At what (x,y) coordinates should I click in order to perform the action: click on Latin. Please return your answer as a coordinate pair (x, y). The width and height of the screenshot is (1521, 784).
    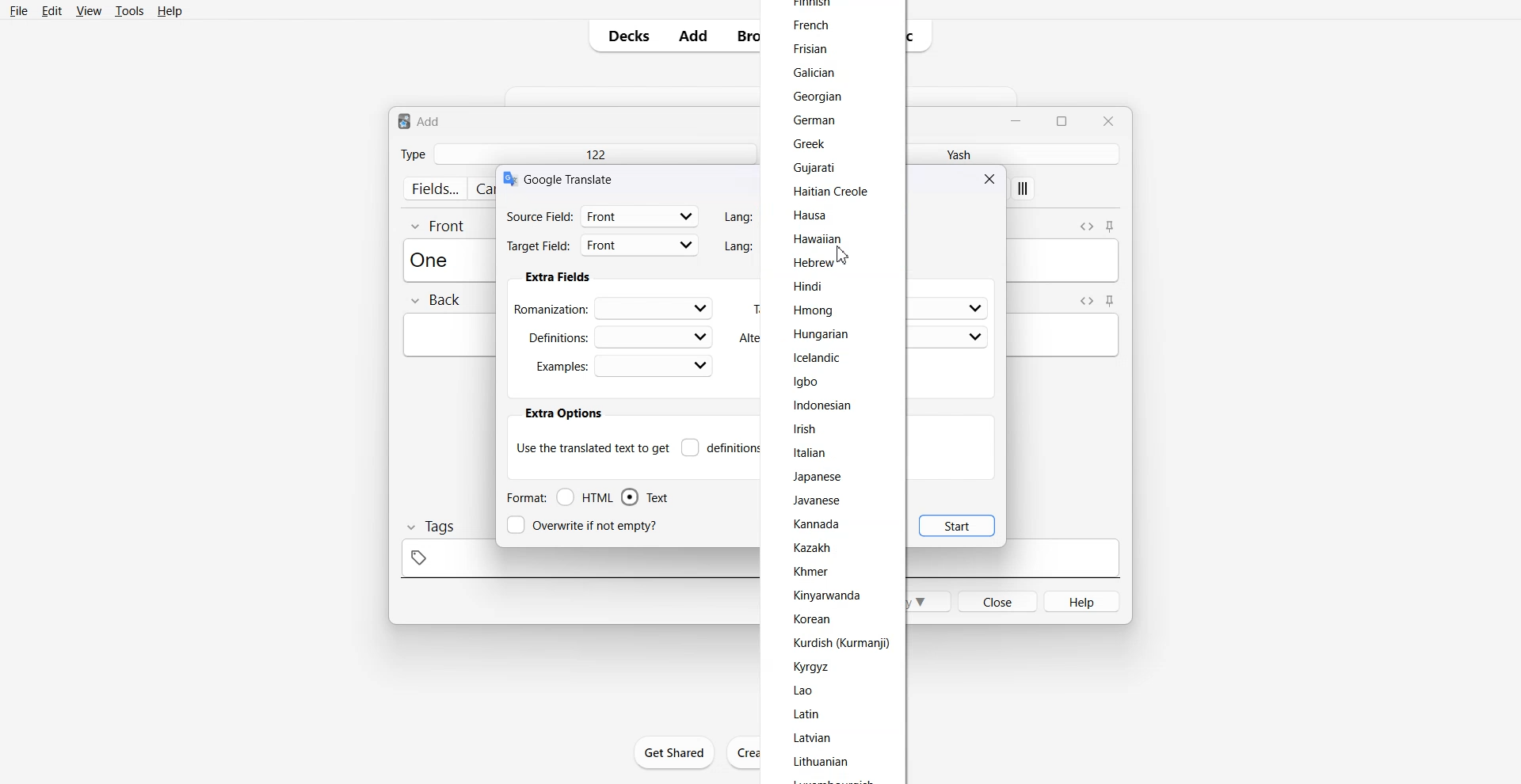
    Looking at the image, I should click on (808, 714).